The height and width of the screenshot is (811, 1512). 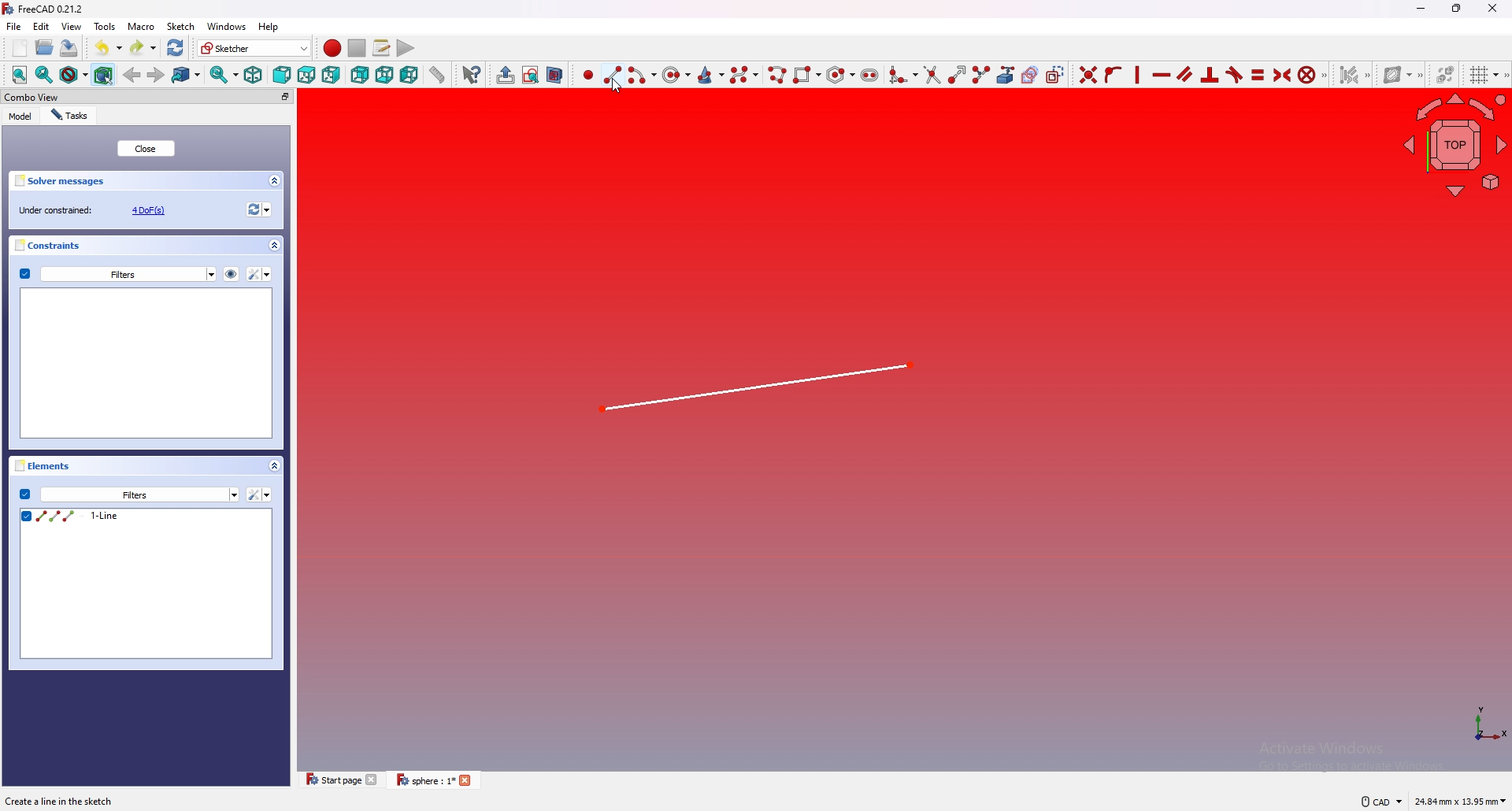 What do you see at coordinates (231, 272) in the screenshot?
I see `Show/hide all hidden constraints from 3D view. (same as ticking/unticking all listed constraints in list below)` at bounding box center [231, 272].